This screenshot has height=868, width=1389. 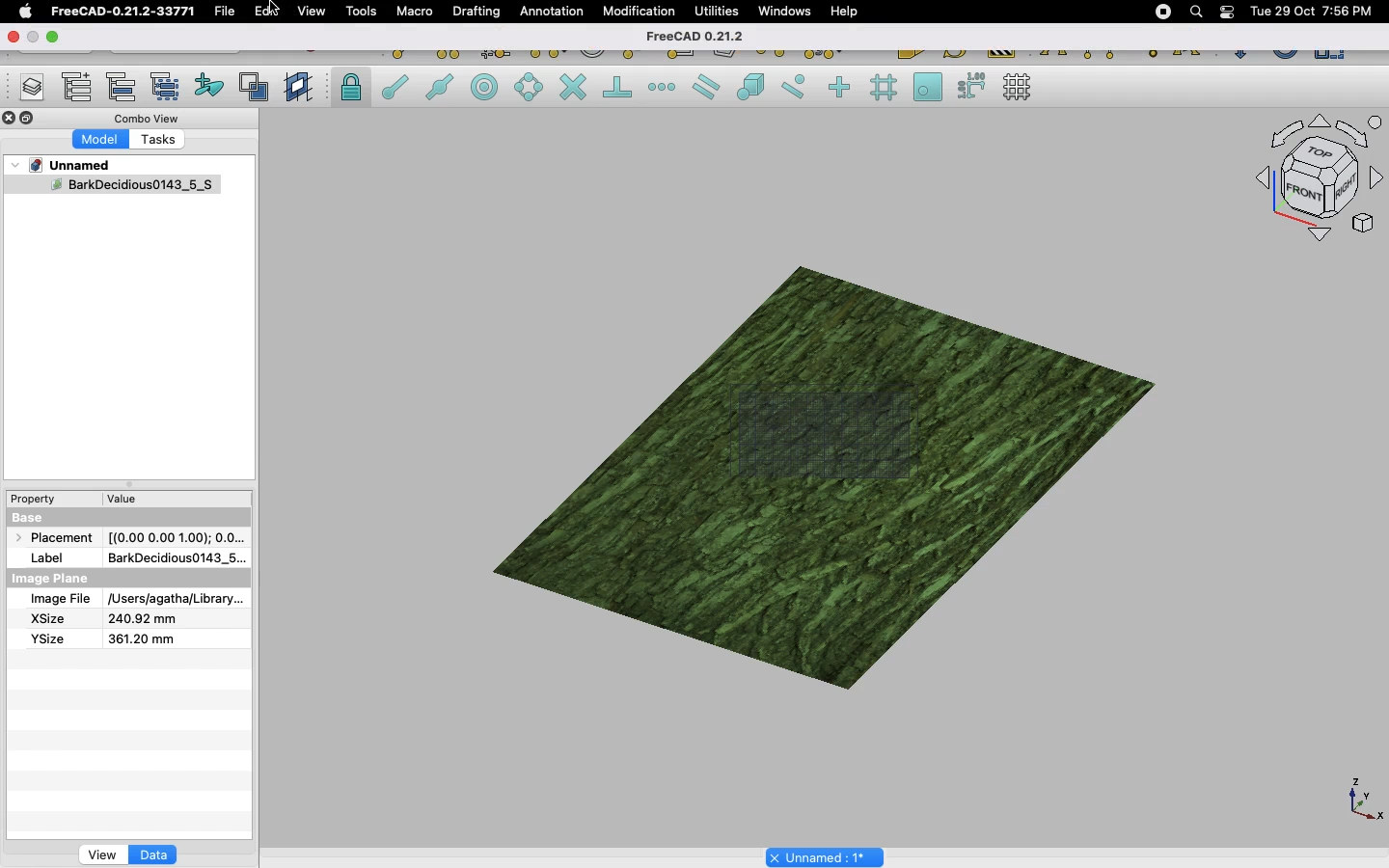 I want to click on Base, so click(x=44, y=518).